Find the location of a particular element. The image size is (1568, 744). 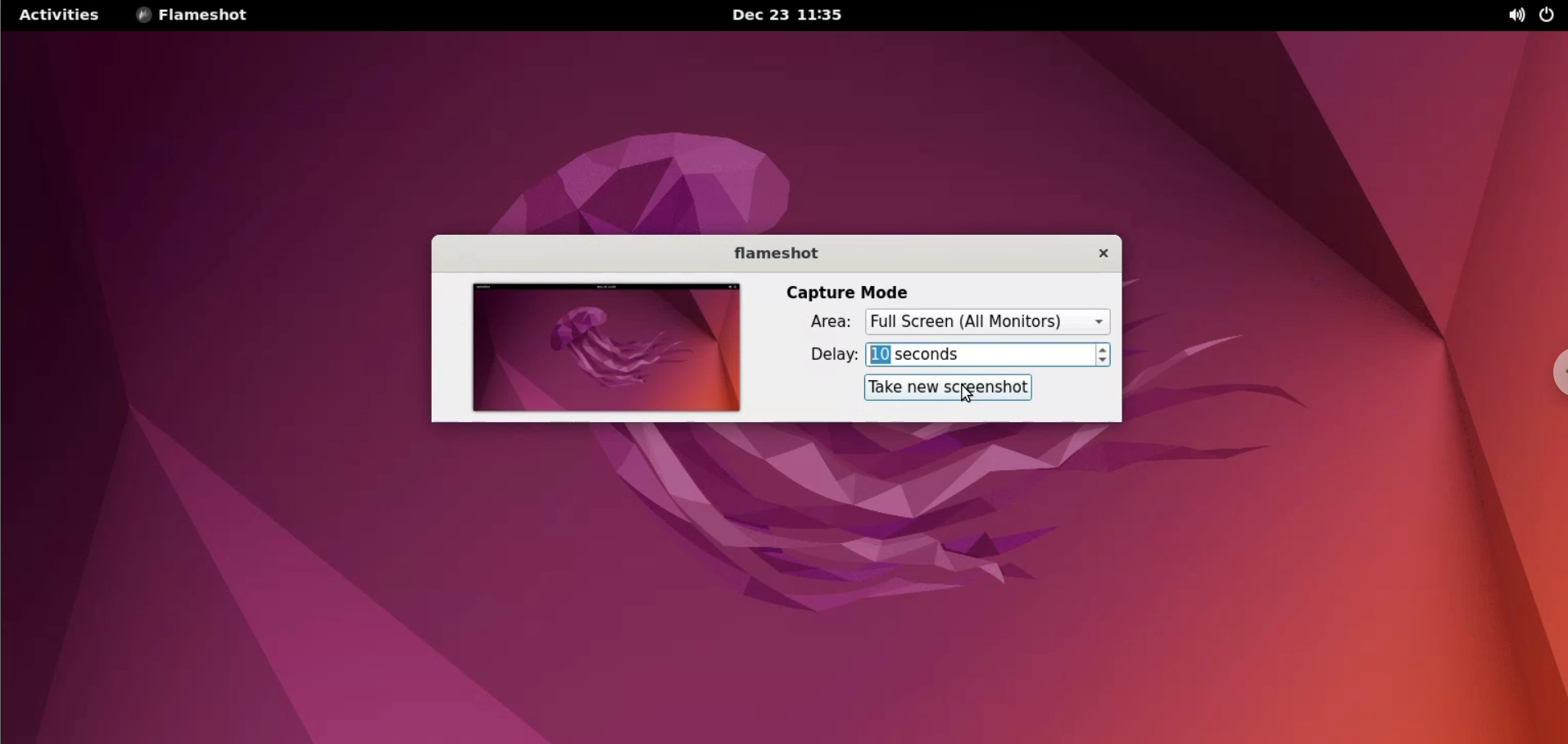

selected capture area is located at coordinates (988, 322).